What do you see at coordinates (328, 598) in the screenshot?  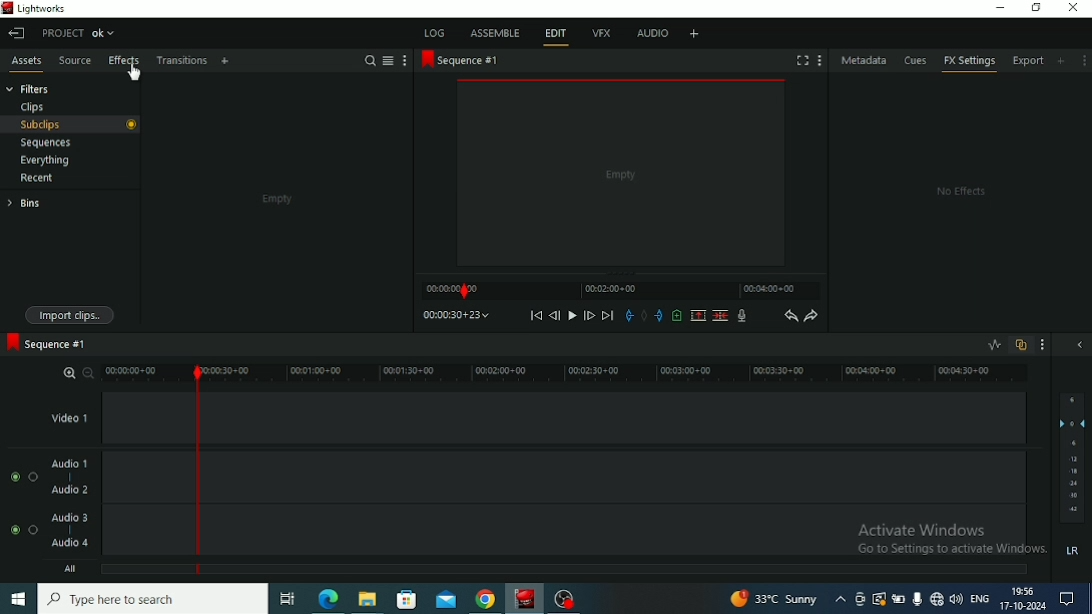 I see `Microsoft edge` at bounding box center [328, 598].